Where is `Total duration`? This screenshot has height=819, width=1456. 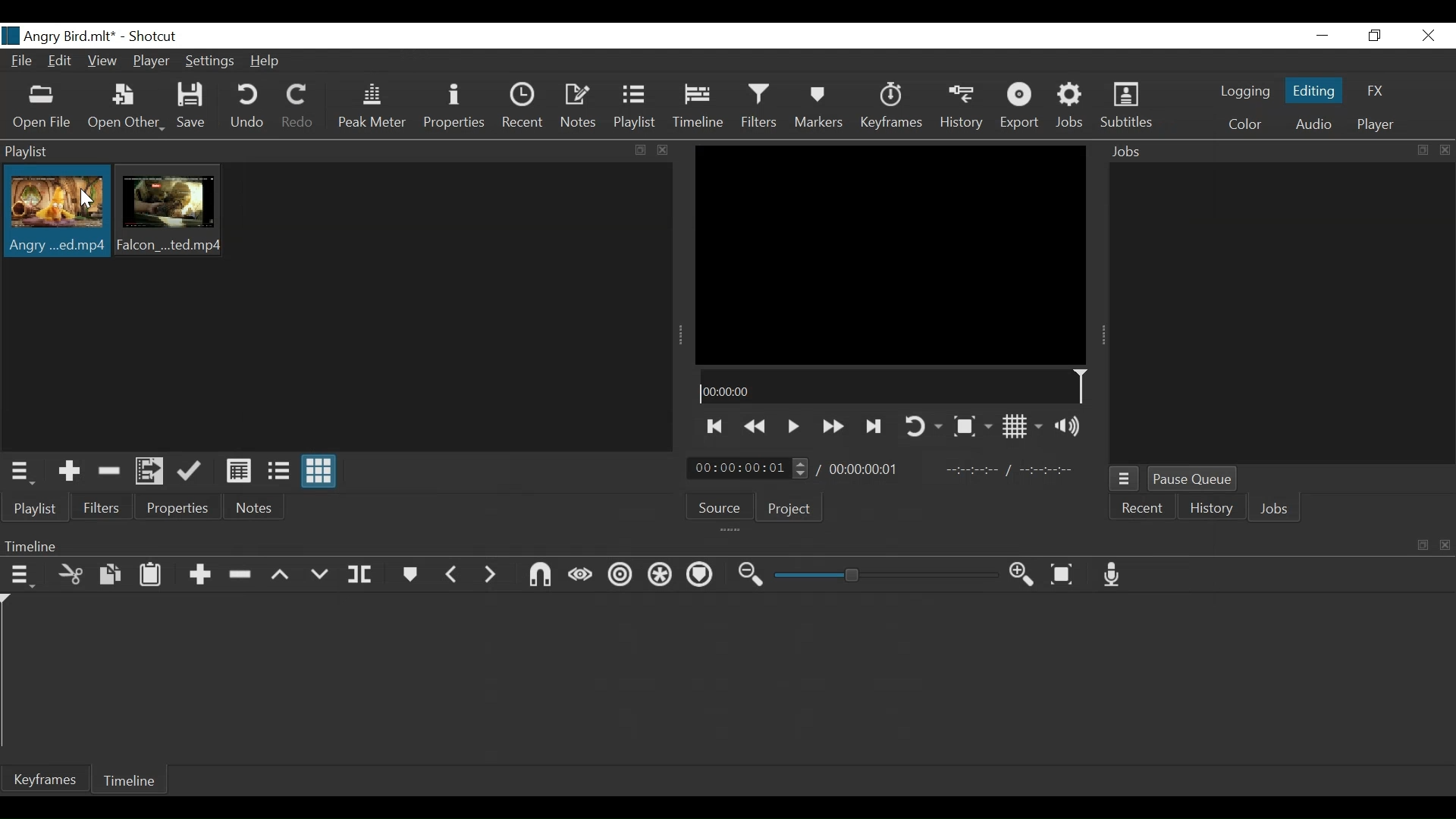
Total duration is located at coordinates (865, 469).